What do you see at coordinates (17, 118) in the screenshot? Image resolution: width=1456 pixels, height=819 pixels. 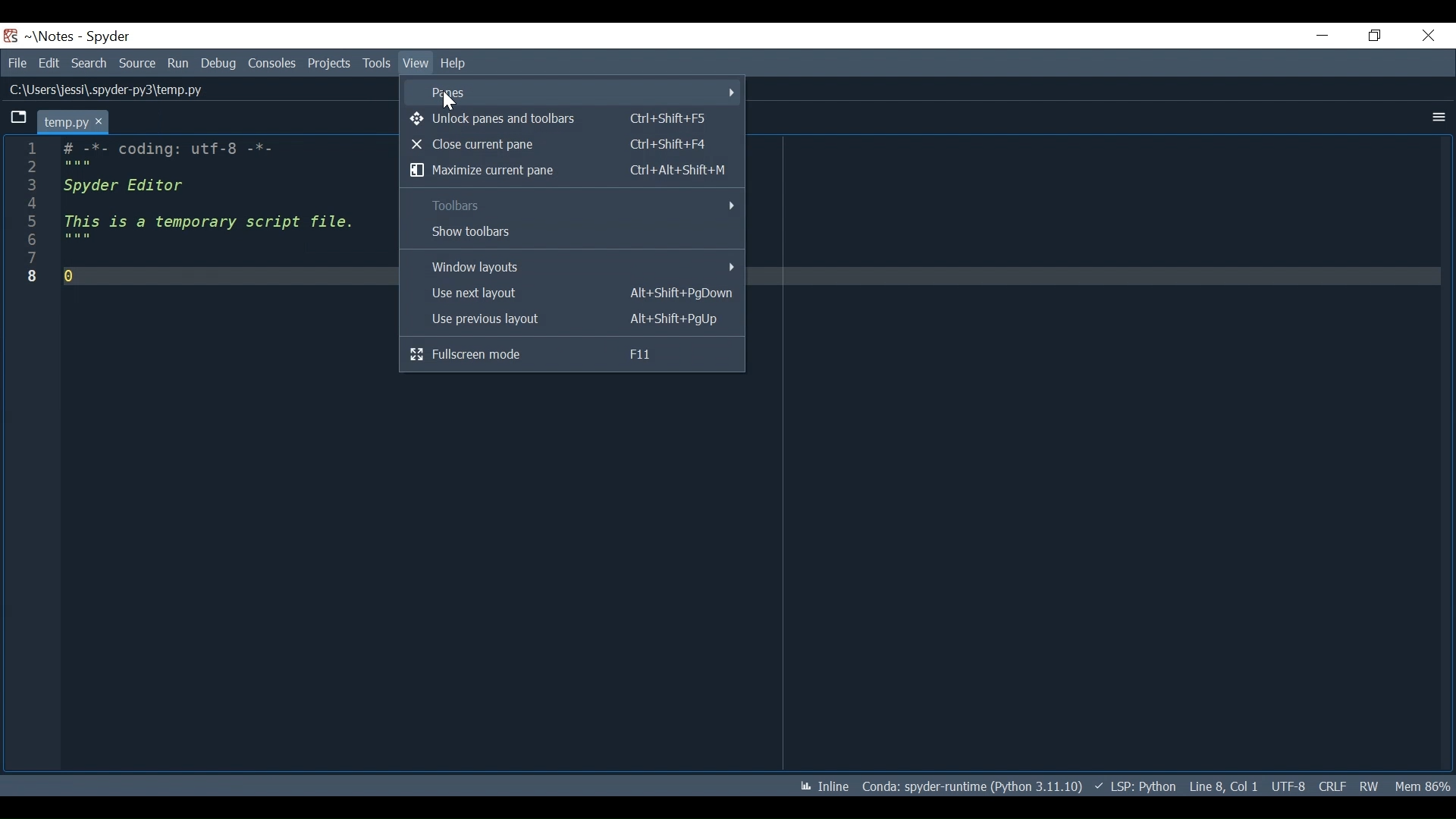 I see `Browse tab` at bounding box center [17, 118].